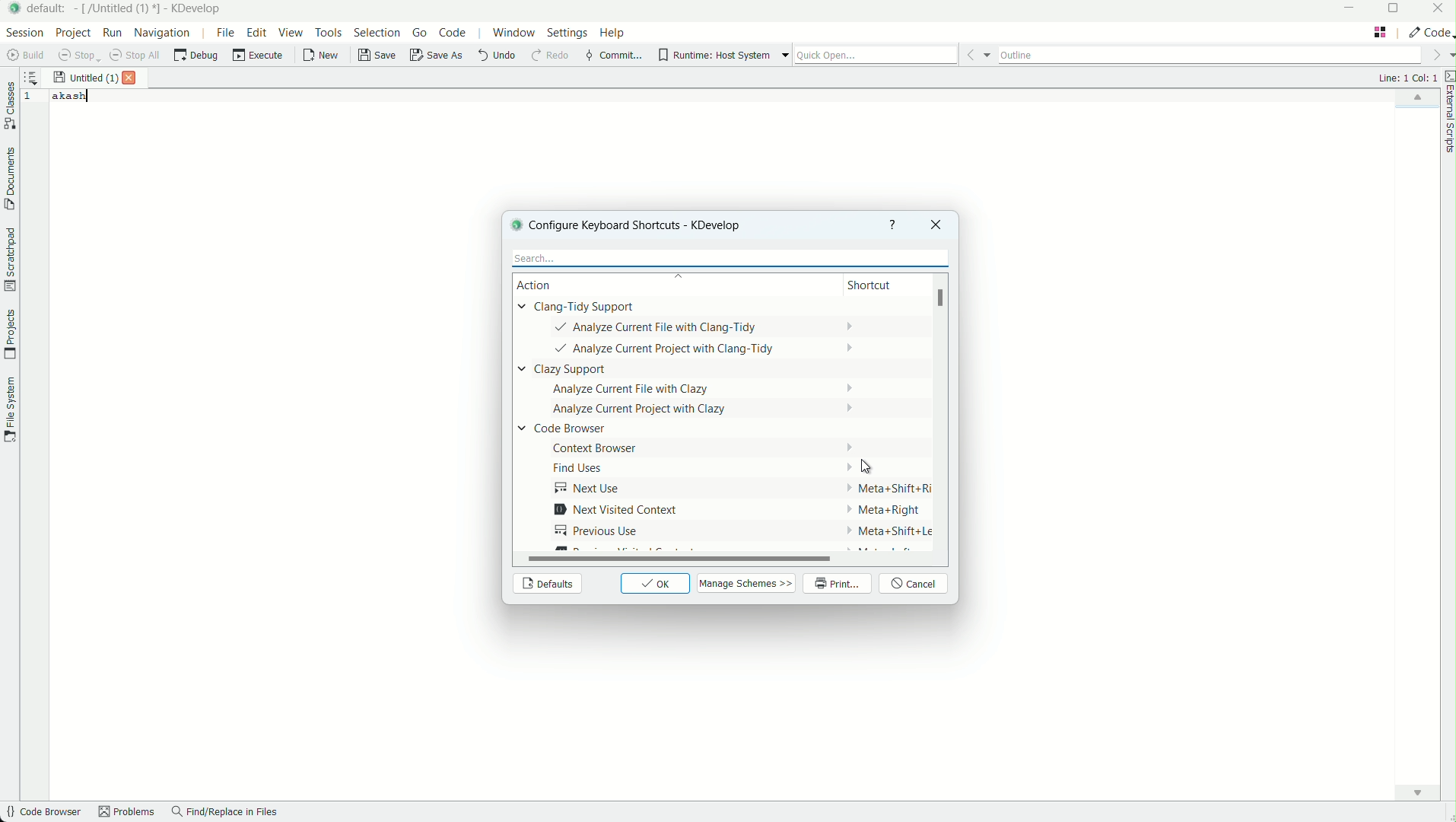  Describe the element at coordinates (293, 33) in the screenshot. I see `view menu` at that location.